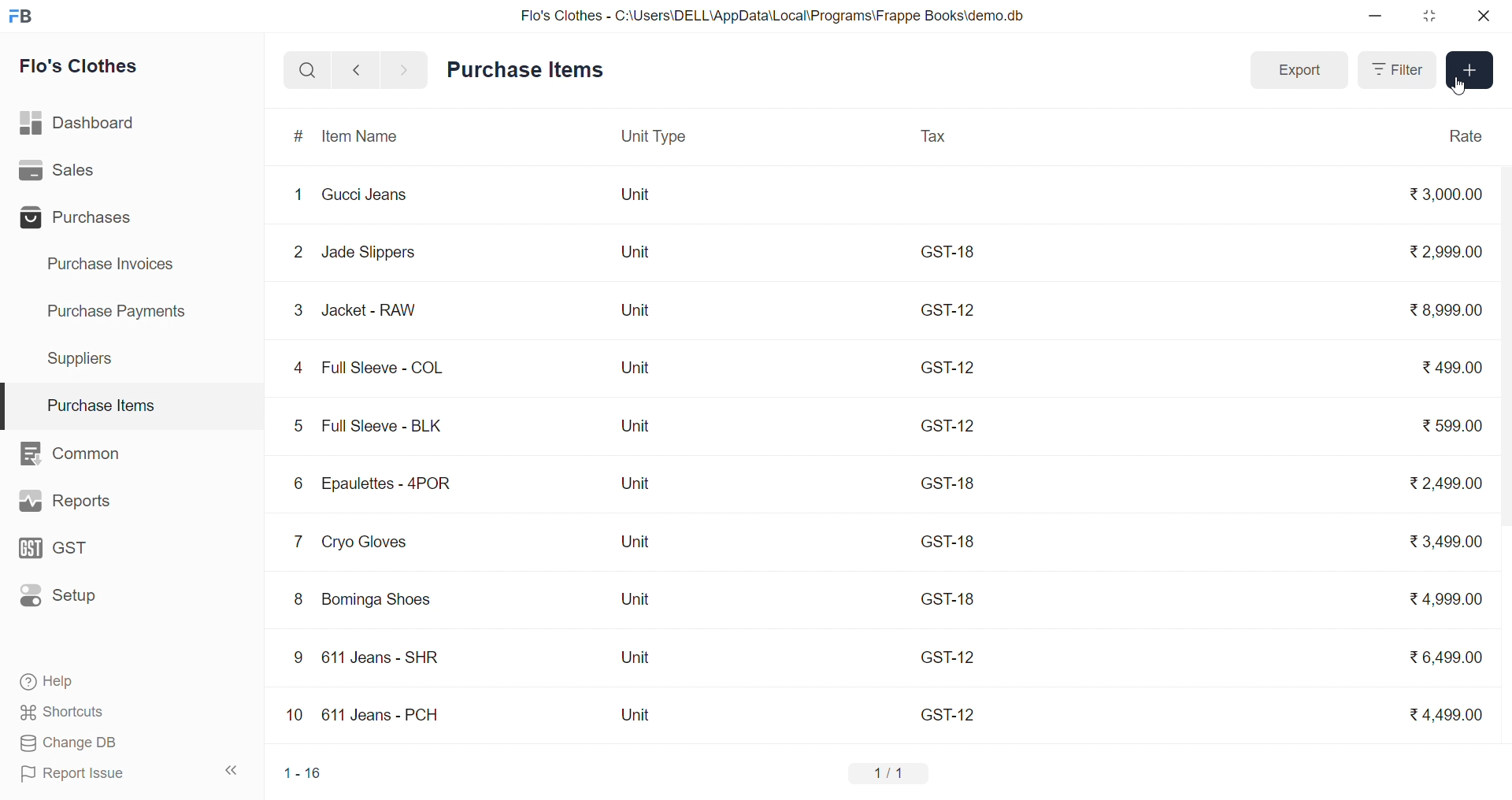 The image size is (1512, 800). What do you see at coordinates (238, 772) in the screenshot?
I see `collapse sidebar` at bounding box center [238, 772].